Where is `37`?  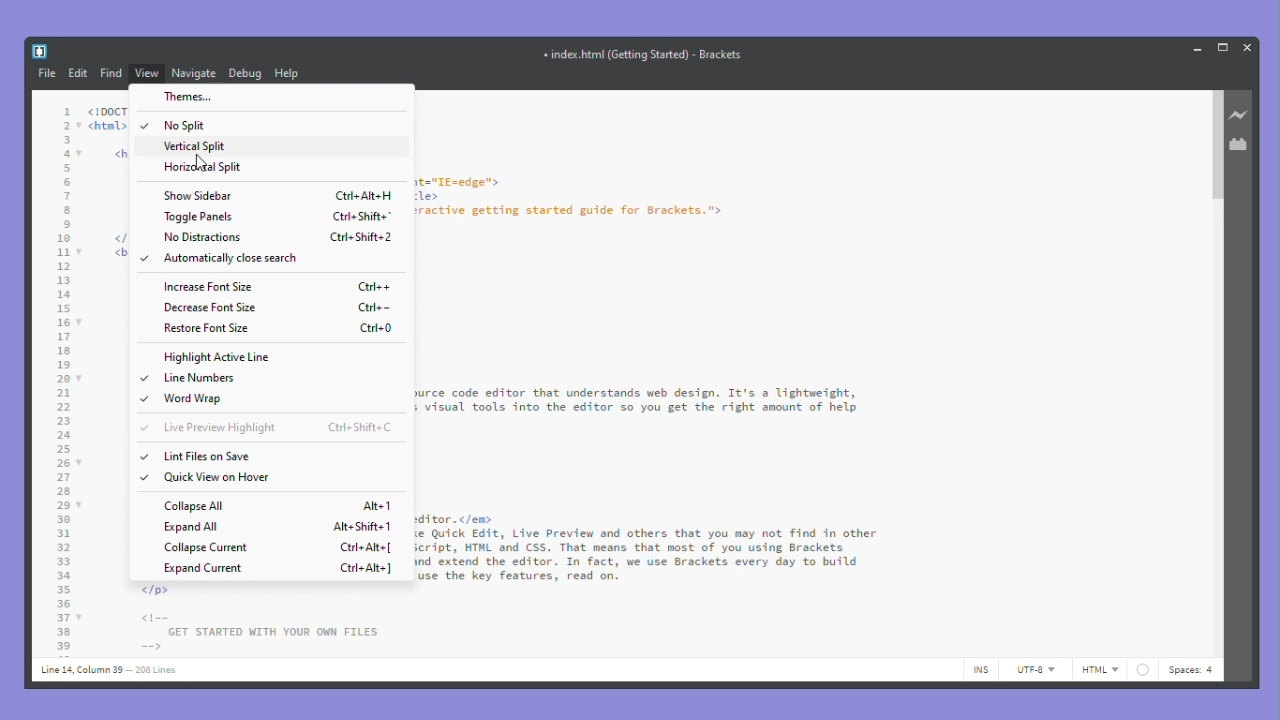
37 is located at coordinates (63, 618).